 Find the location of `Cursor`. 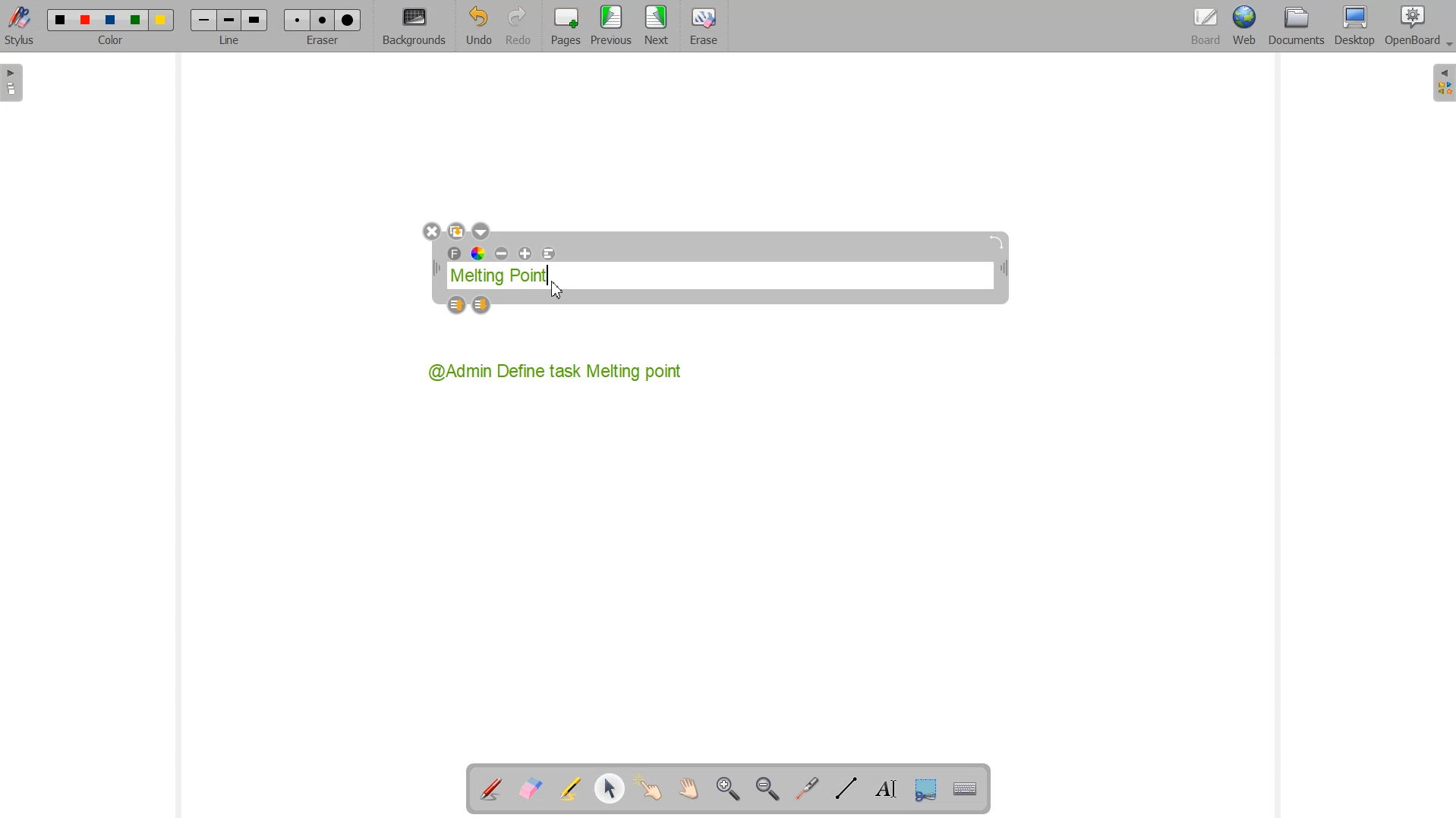

Cursor is located at coordinates (556, 292).